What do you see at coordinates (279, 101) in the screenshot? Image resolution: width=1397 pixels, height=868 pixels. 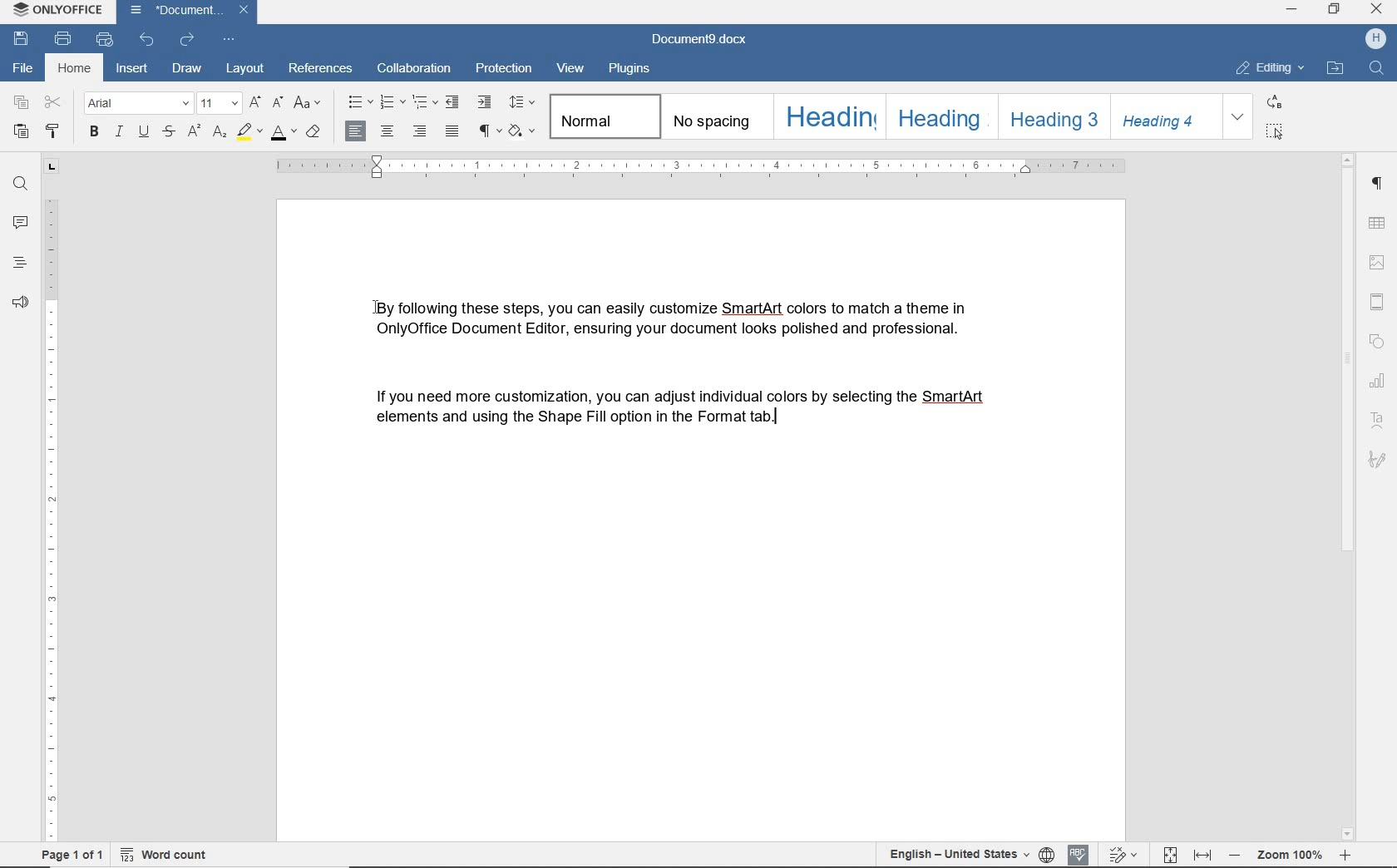 I see `decrement font size` at bounding box center [279, 101].